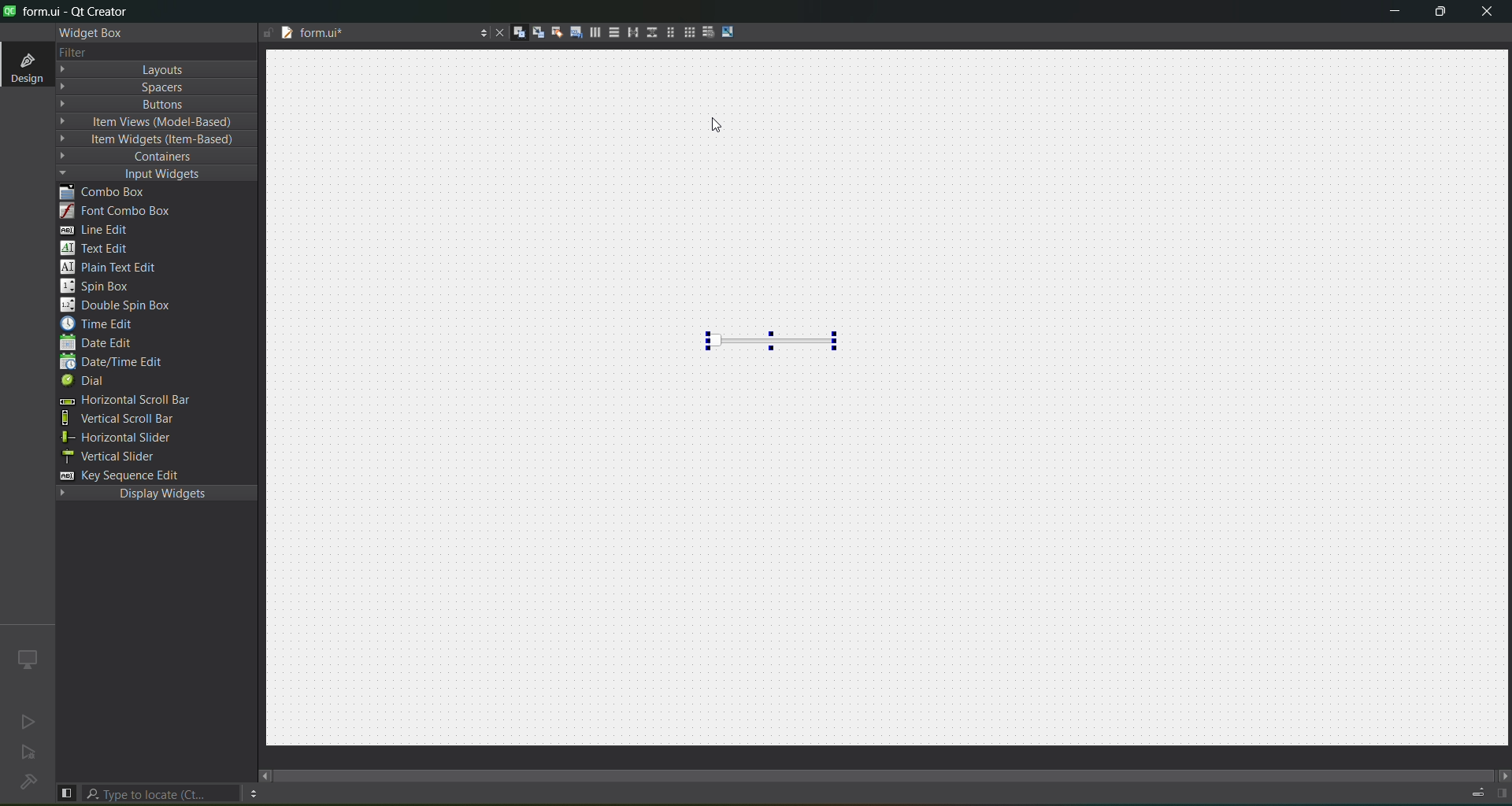 The height and width of the screenshot is (806, 1512). I want to click on vertical splitter, so click(650, 32).